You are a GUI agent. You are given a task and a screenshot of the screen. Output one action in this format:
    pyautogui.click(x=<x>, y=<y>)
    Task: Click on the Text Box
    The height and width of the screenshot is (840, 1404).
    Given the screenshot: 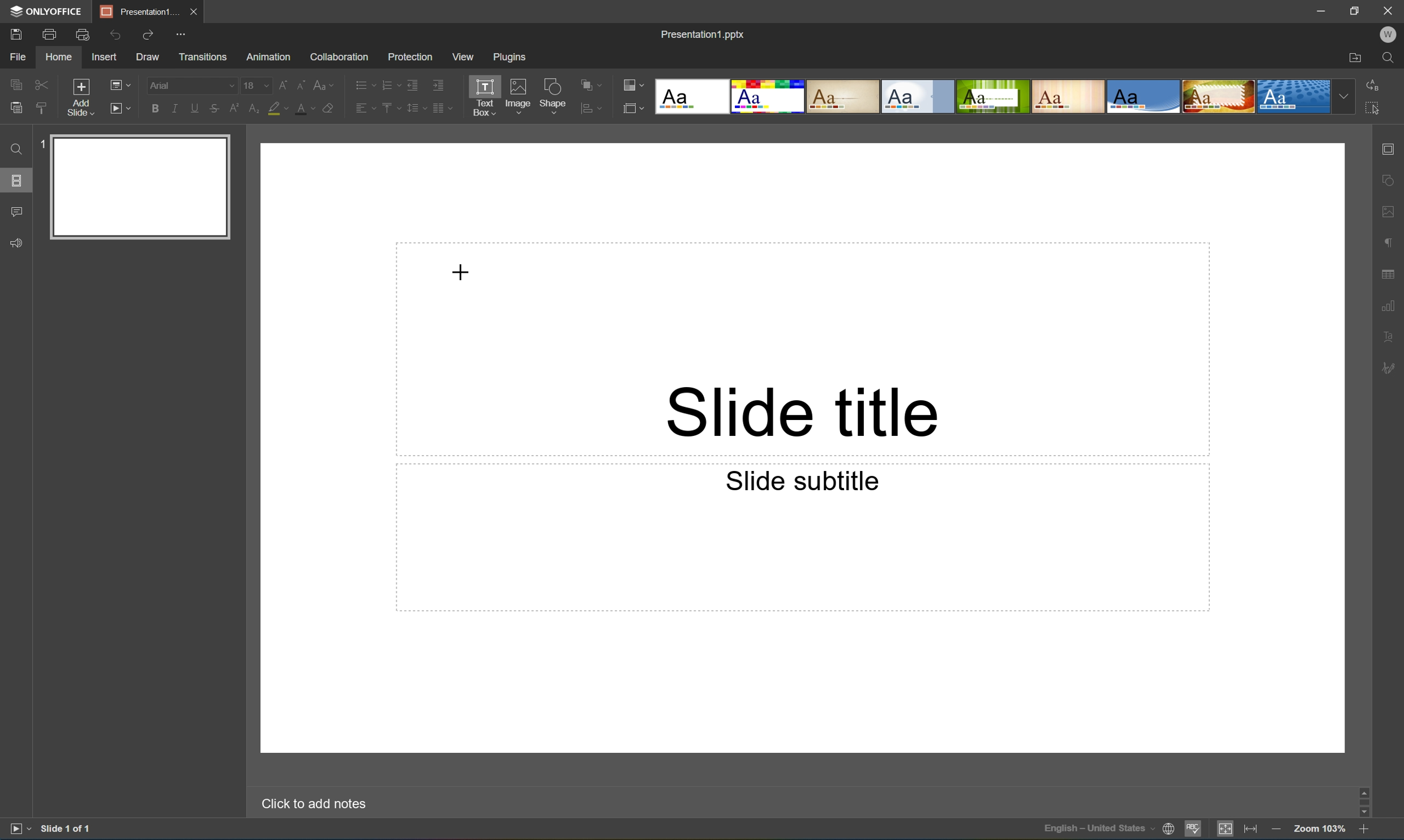 What is the action you would take?
    pyautogui.click(x=483, y=97)
    